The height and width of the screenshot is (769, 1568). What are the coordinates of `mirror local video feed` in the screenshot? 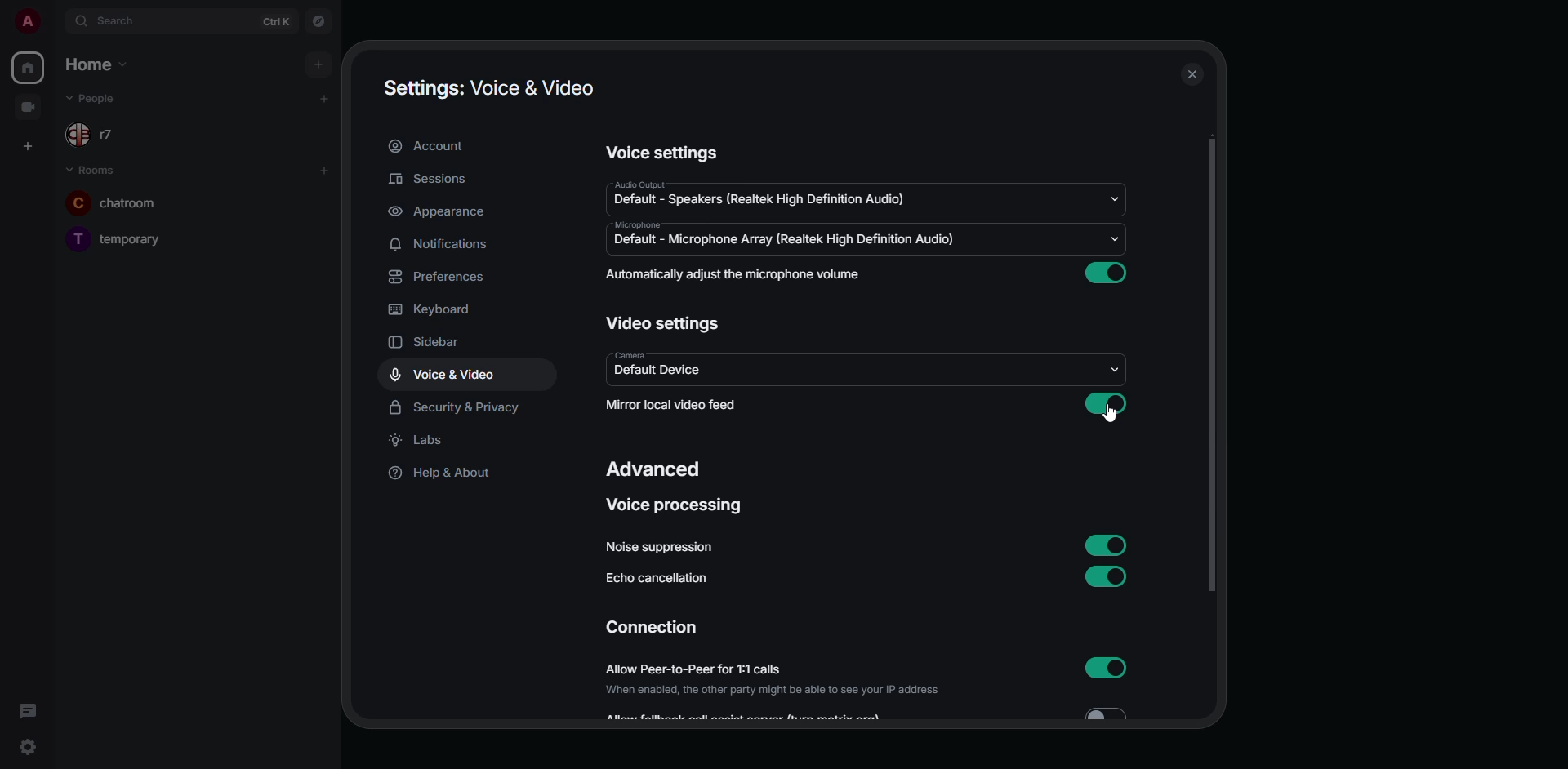 It's located at (675, 405).